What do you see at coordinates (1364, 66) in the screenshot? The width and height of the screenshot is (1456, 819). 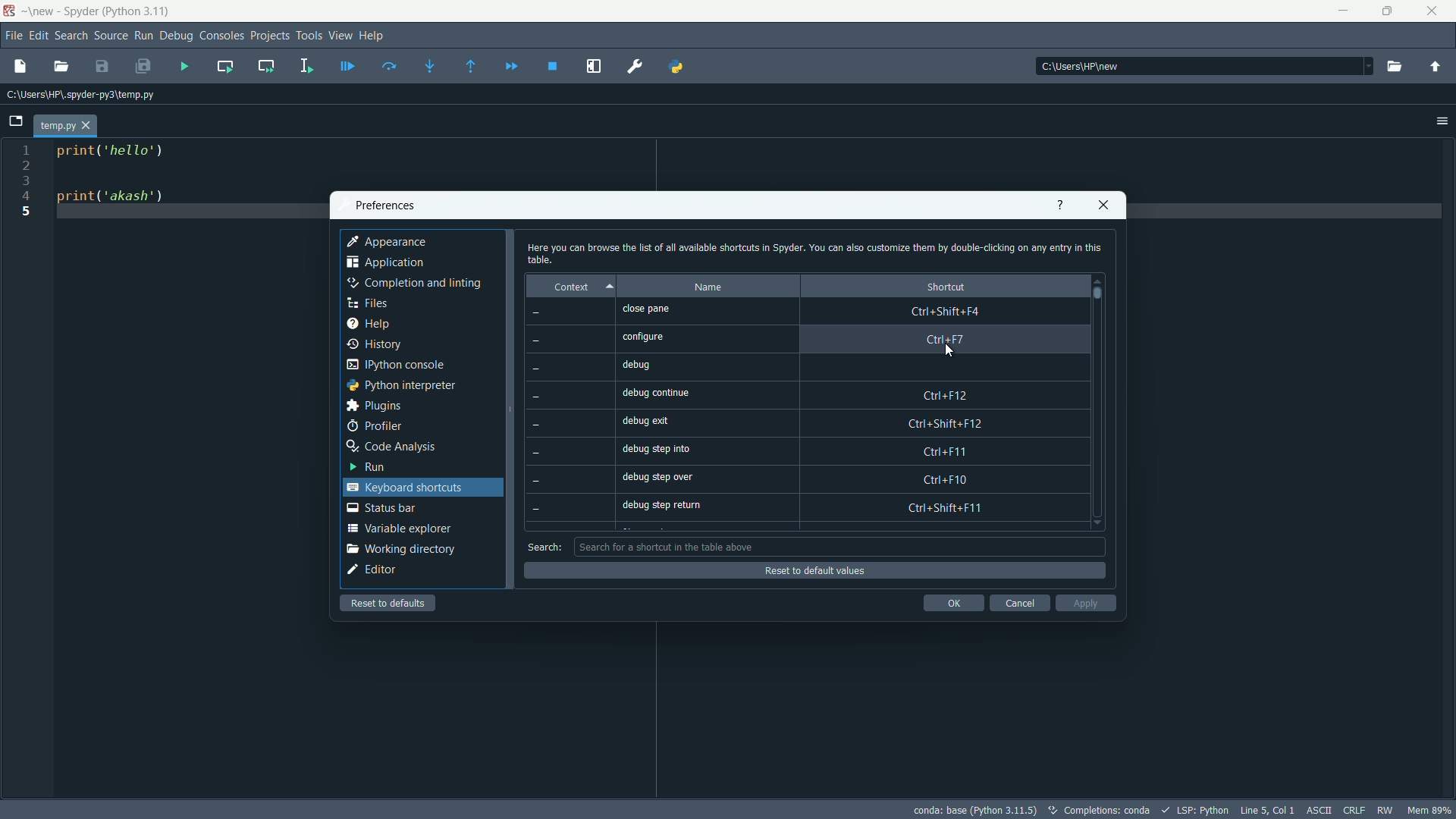 I see `More items` at bounding box center [1364, 66].